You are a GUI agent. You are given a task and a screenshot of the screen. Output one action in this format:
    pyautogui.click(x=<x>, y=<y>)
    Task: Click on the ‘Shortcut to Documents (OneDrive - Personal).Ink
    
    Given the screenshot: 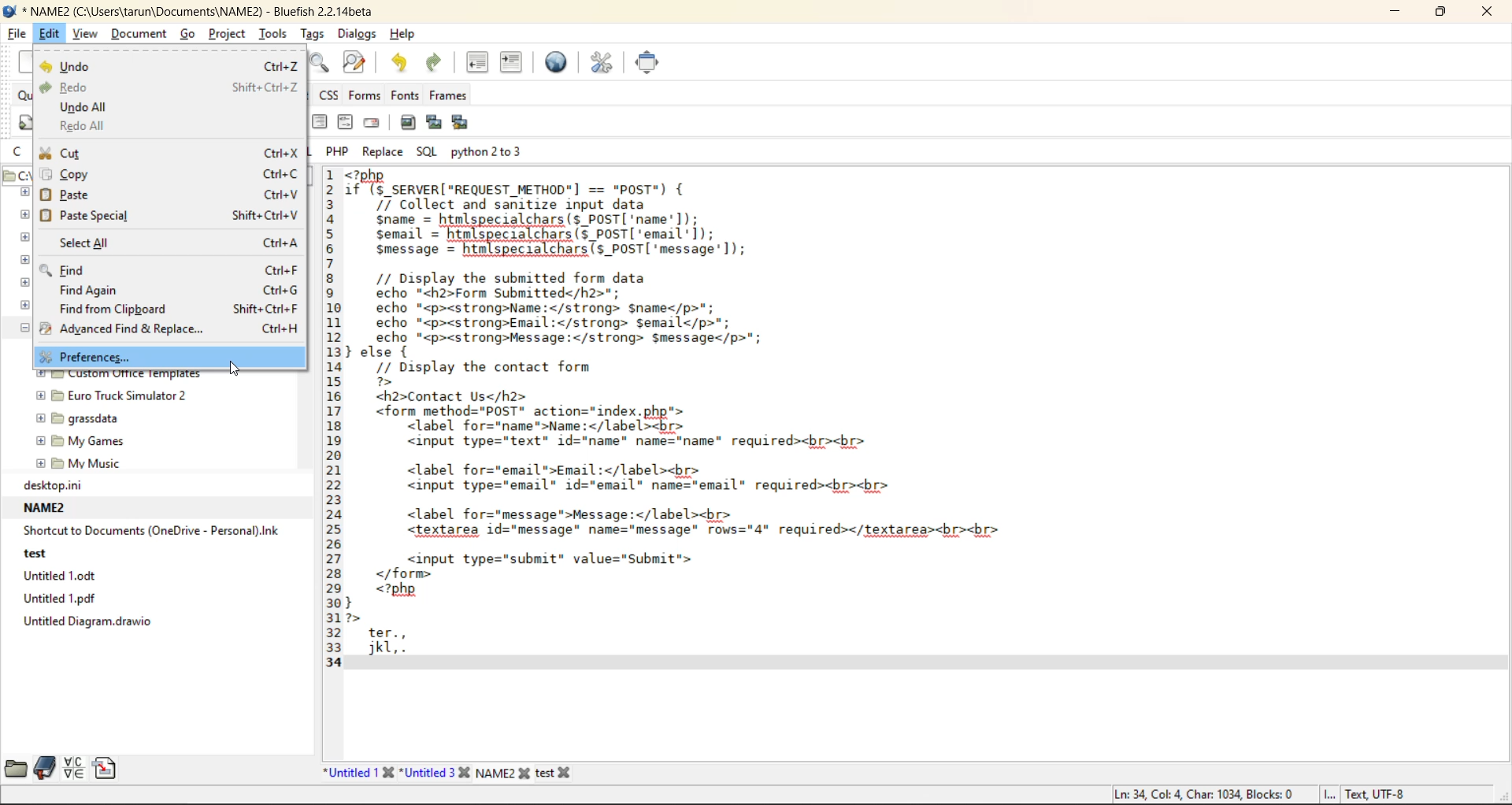 What is the action you would take?
    pyautogui.click(x=145, y=529)
    